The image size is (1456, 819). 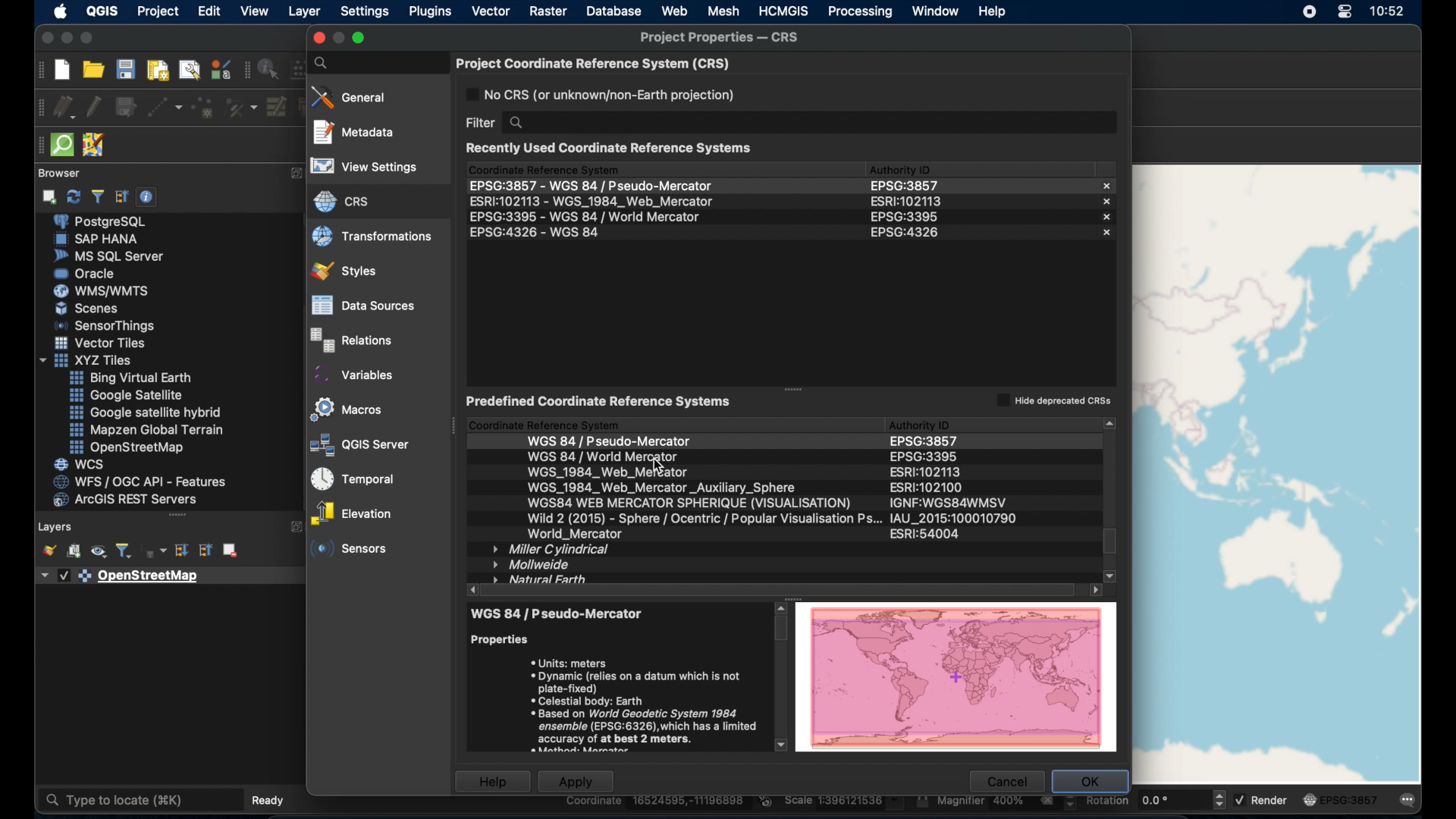 I want to click on filter search bar, so click(x=786, y=121).